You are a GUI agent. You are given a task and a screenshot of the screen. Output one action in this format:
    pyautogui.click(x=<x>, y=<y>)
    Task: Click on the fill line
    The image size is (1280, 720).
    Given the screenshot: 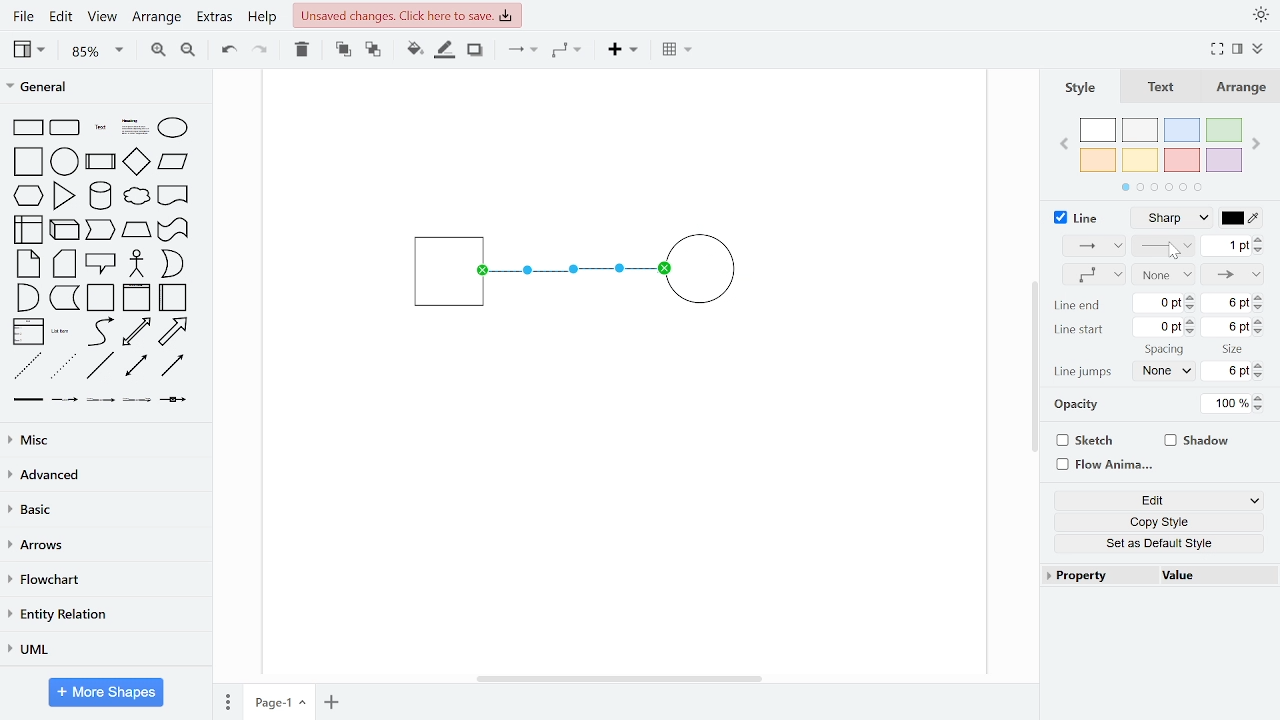 What is the action you would take?
    pyautogui.click(x=444, y=50)
    